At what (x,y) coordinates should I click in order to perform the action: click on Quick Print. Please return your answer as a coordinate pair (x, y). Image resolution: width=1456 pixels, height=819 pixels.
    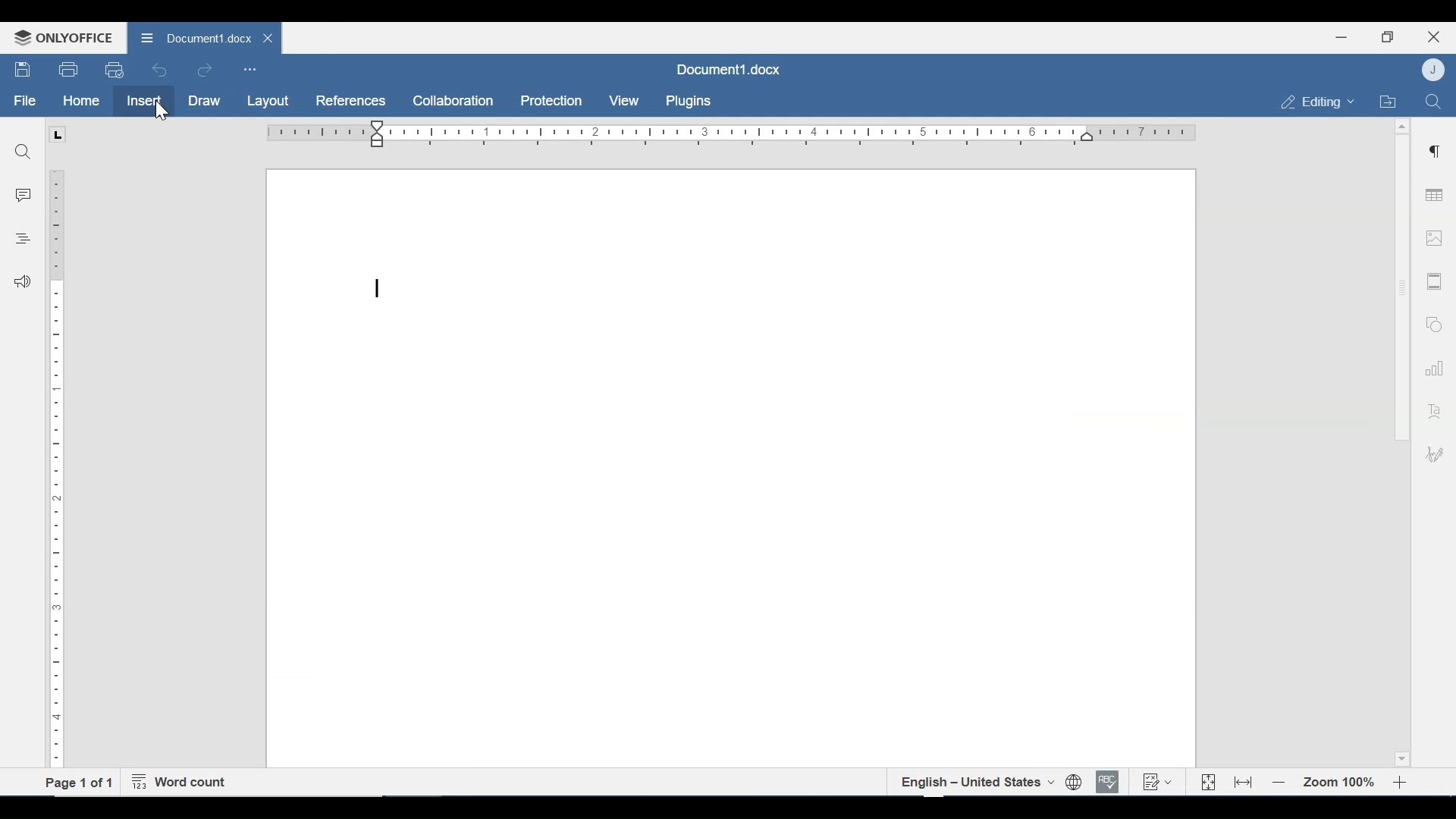
    Looking at the image, I should click on (113, 69).